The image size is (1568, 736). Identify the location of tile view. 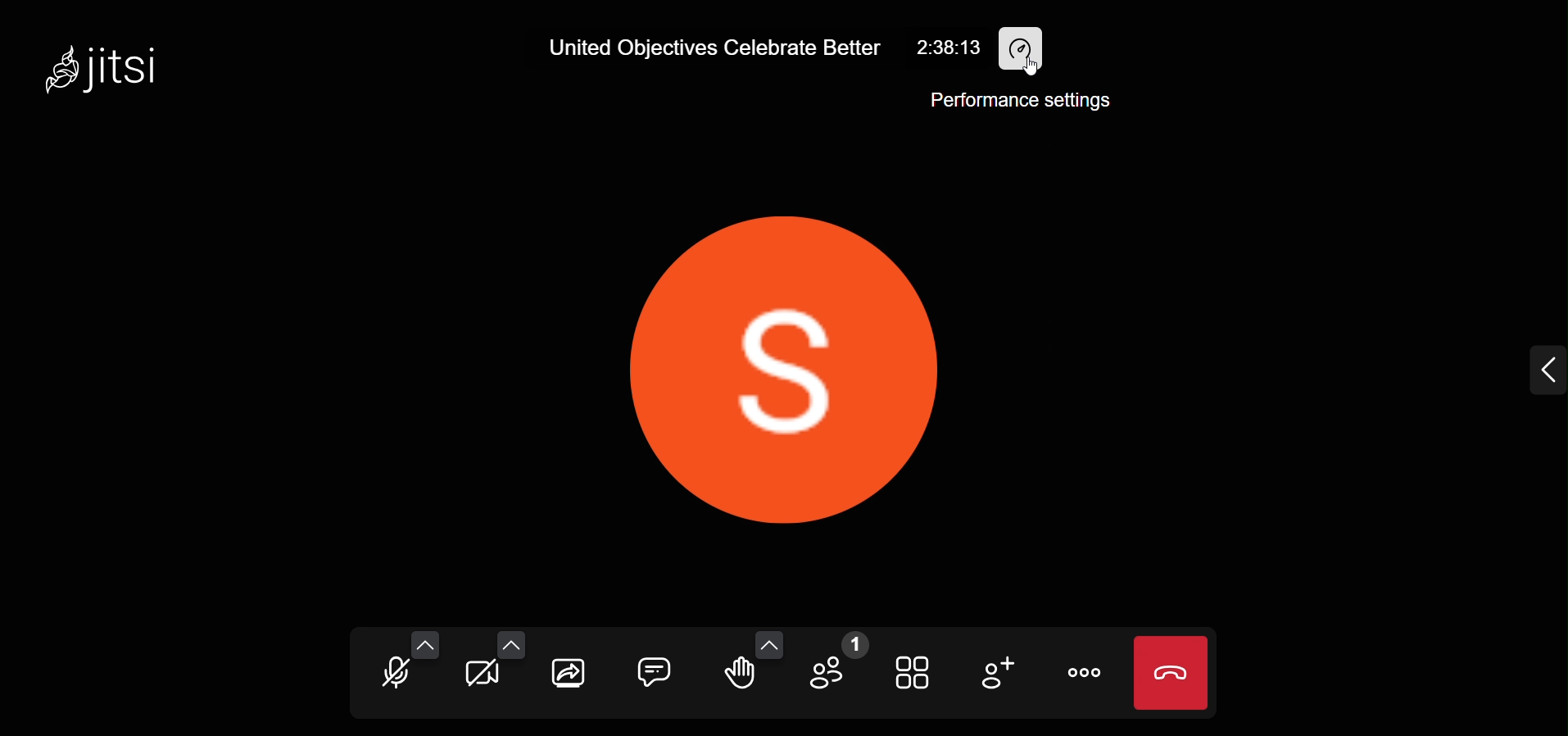
(913, 672).